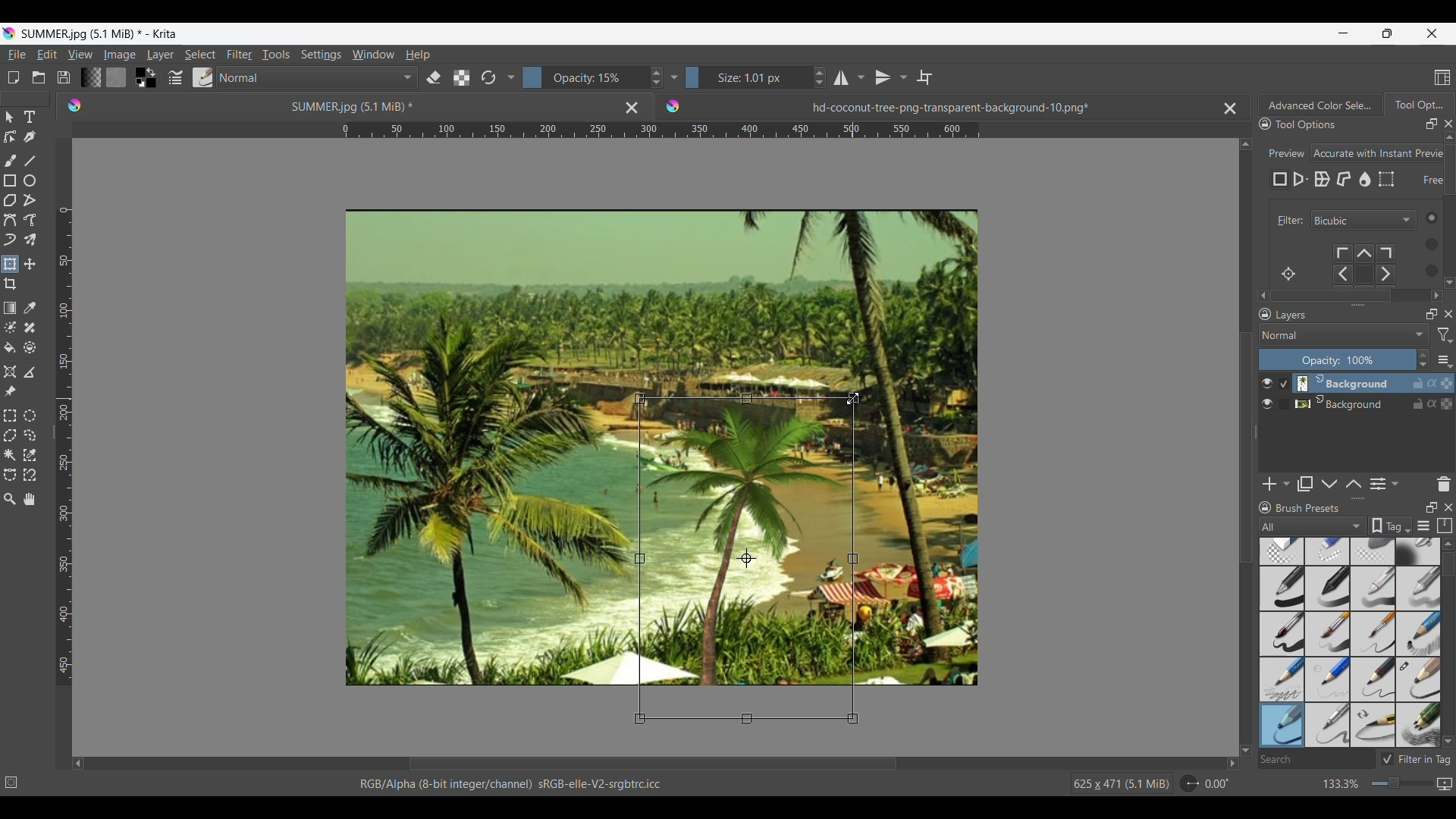  I want to click on Information about the selected image, so click(1121, 783).